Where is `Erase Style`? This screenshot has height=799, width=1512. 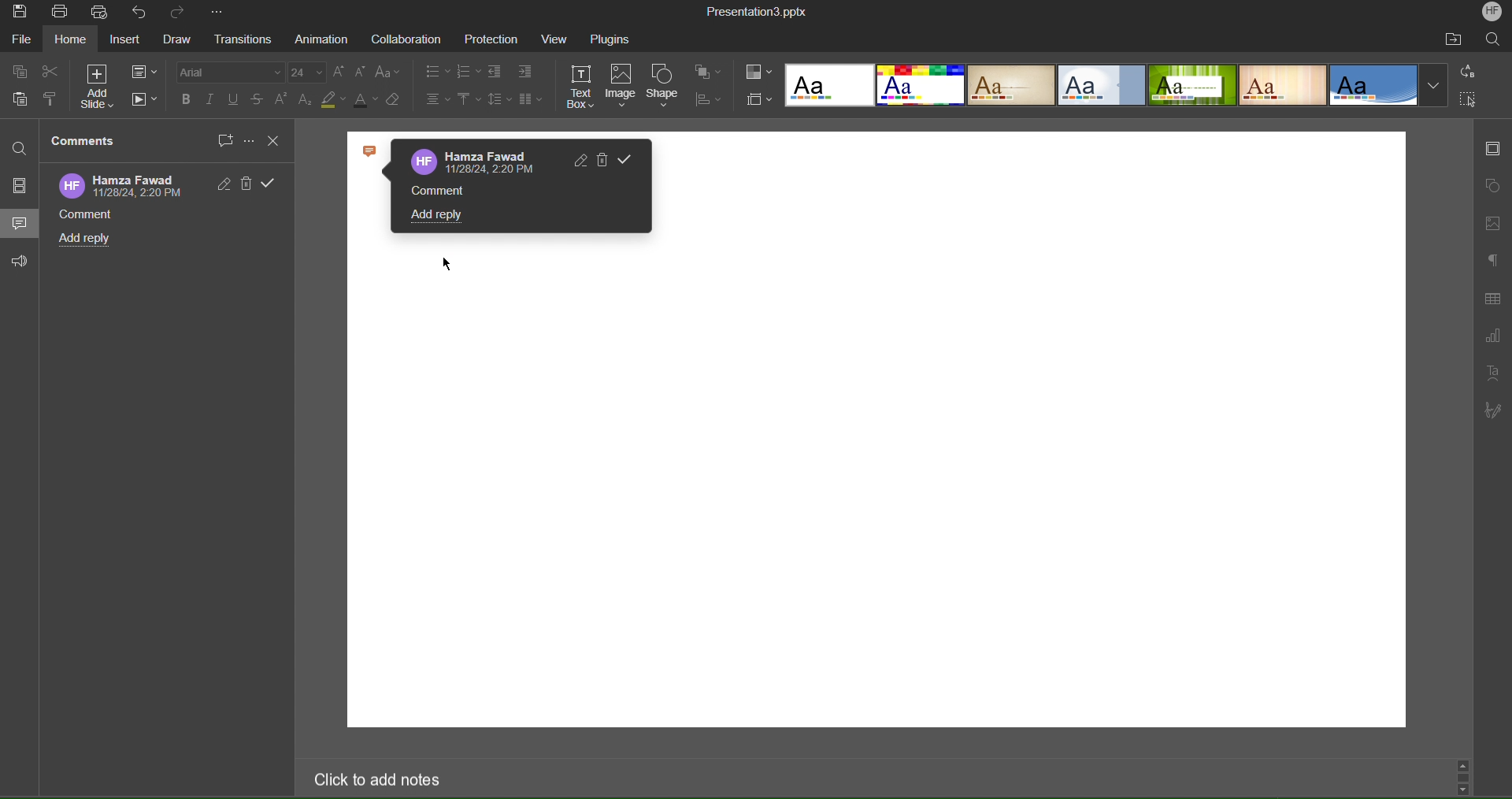 Erase Style is located at coordinates (395, 101).